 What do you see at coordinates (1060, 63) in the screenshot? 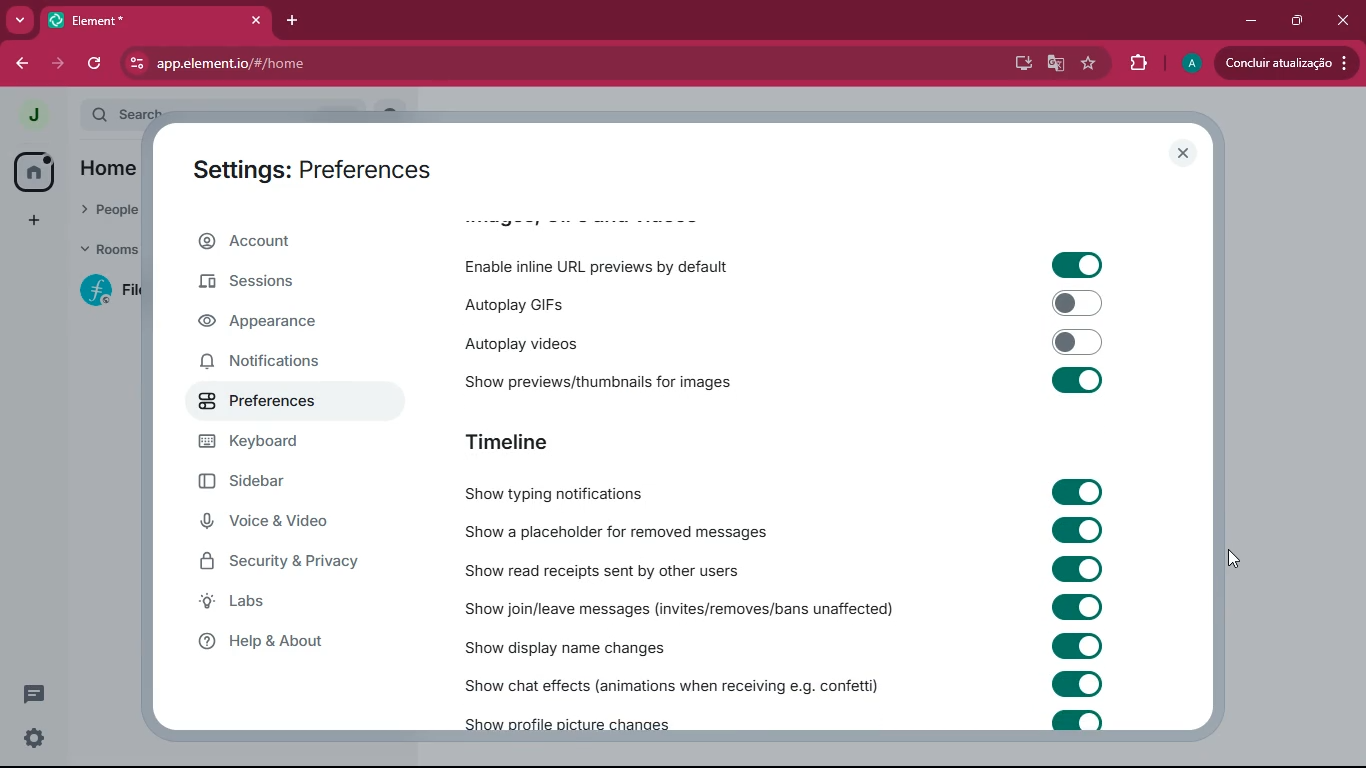
I see `google translate` at bounding box center [1060, 63].